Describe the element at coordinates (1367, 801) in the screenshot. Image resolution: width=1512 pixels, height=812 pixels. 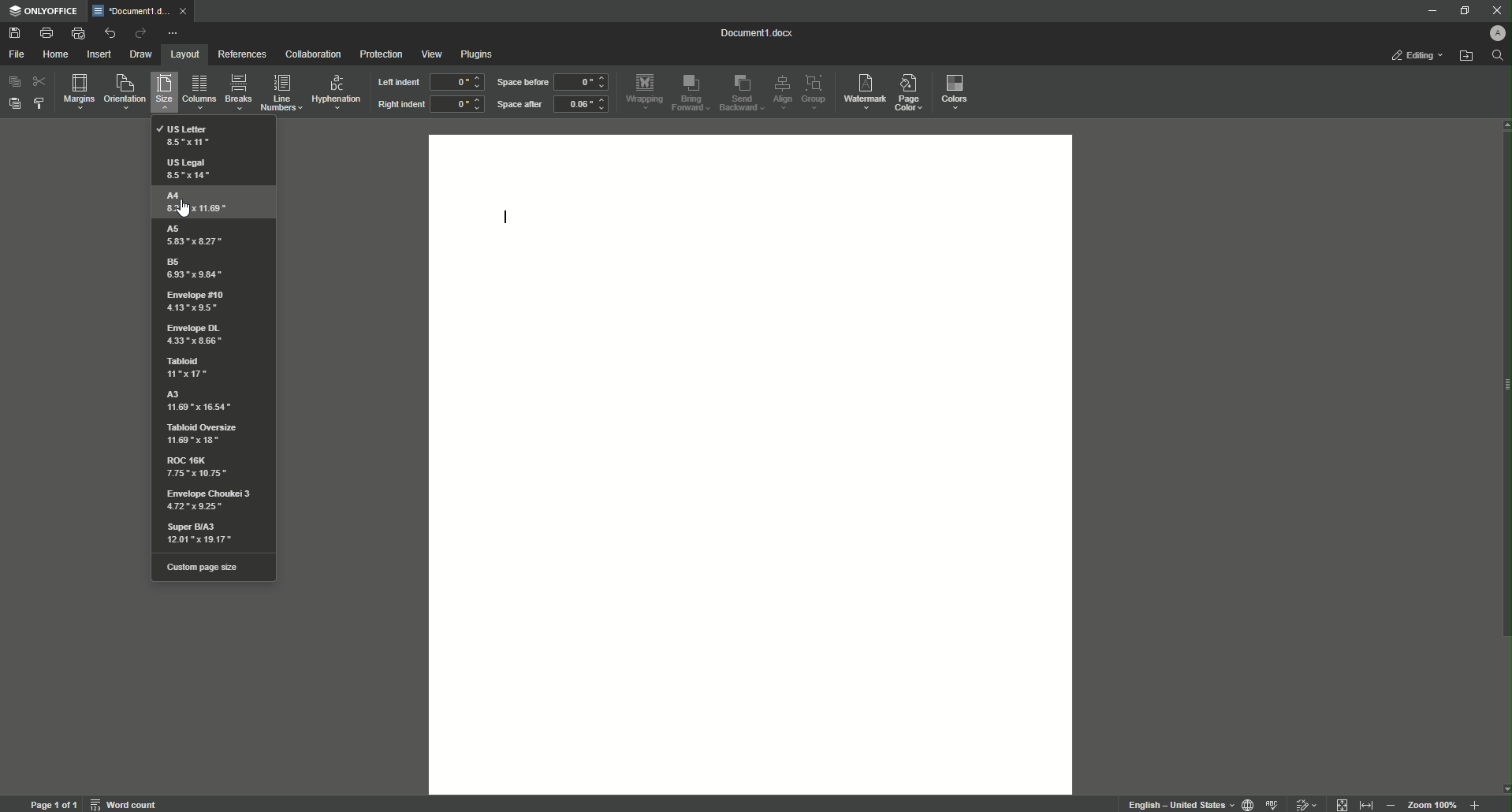
I see `Fit to Width` at that location.